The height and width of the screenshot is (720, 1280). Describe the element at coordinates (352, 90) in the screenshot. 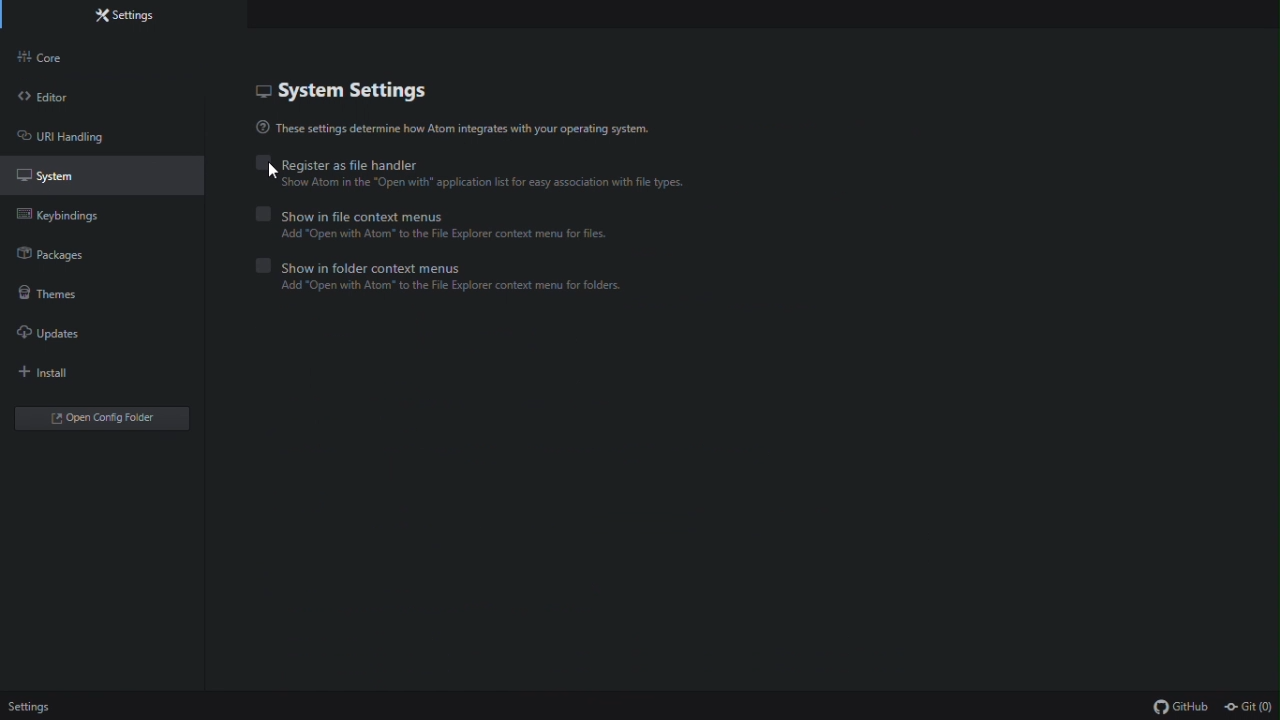

I see `System settings` at that location.